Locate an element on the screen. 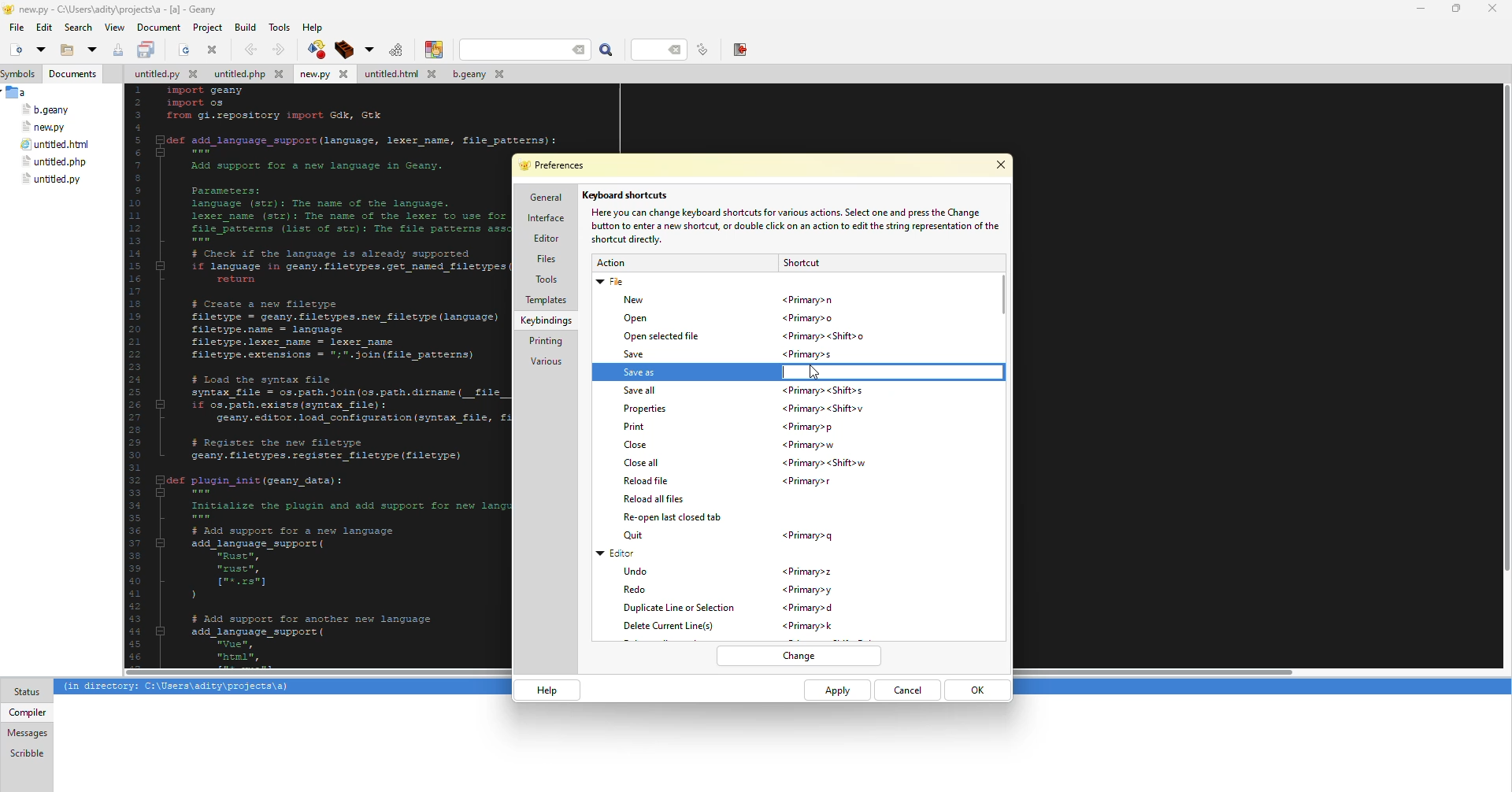 The image size is (1512, 792). documents is located at coordinates (74, 74).